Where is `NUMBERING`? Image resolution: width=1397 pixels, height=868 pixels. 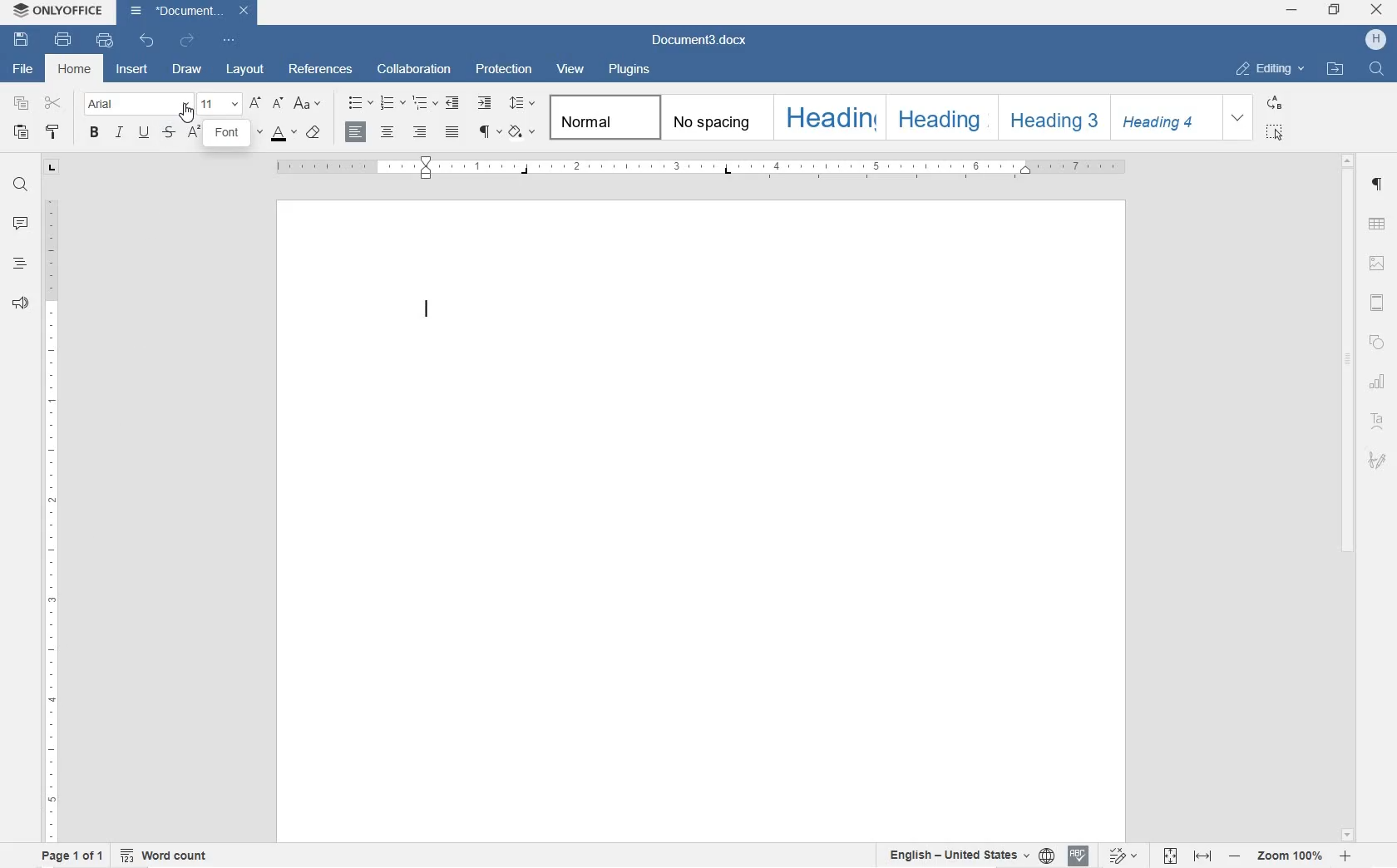 NUMBERING is located at coordinates (390, 103).